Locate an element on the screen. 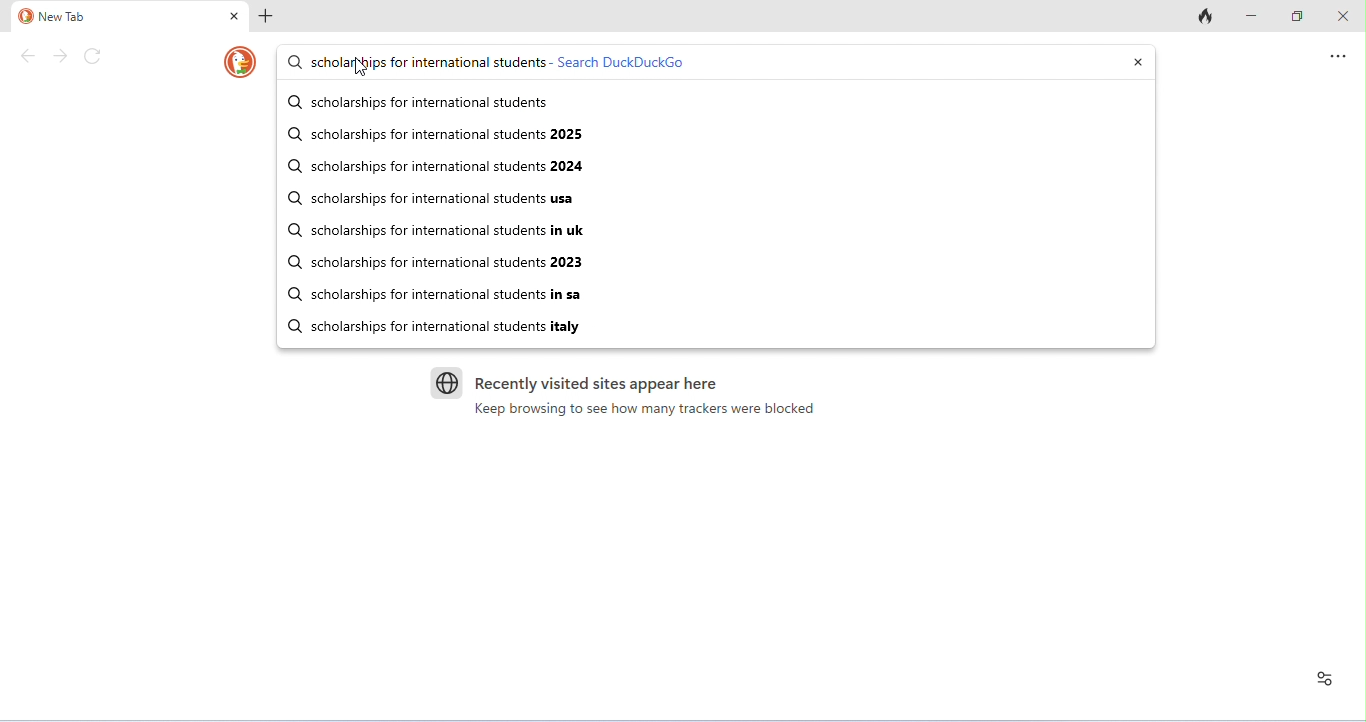 The height and width of the screenshot is (722, 1366). new tab is located at coordinates (51, 18).